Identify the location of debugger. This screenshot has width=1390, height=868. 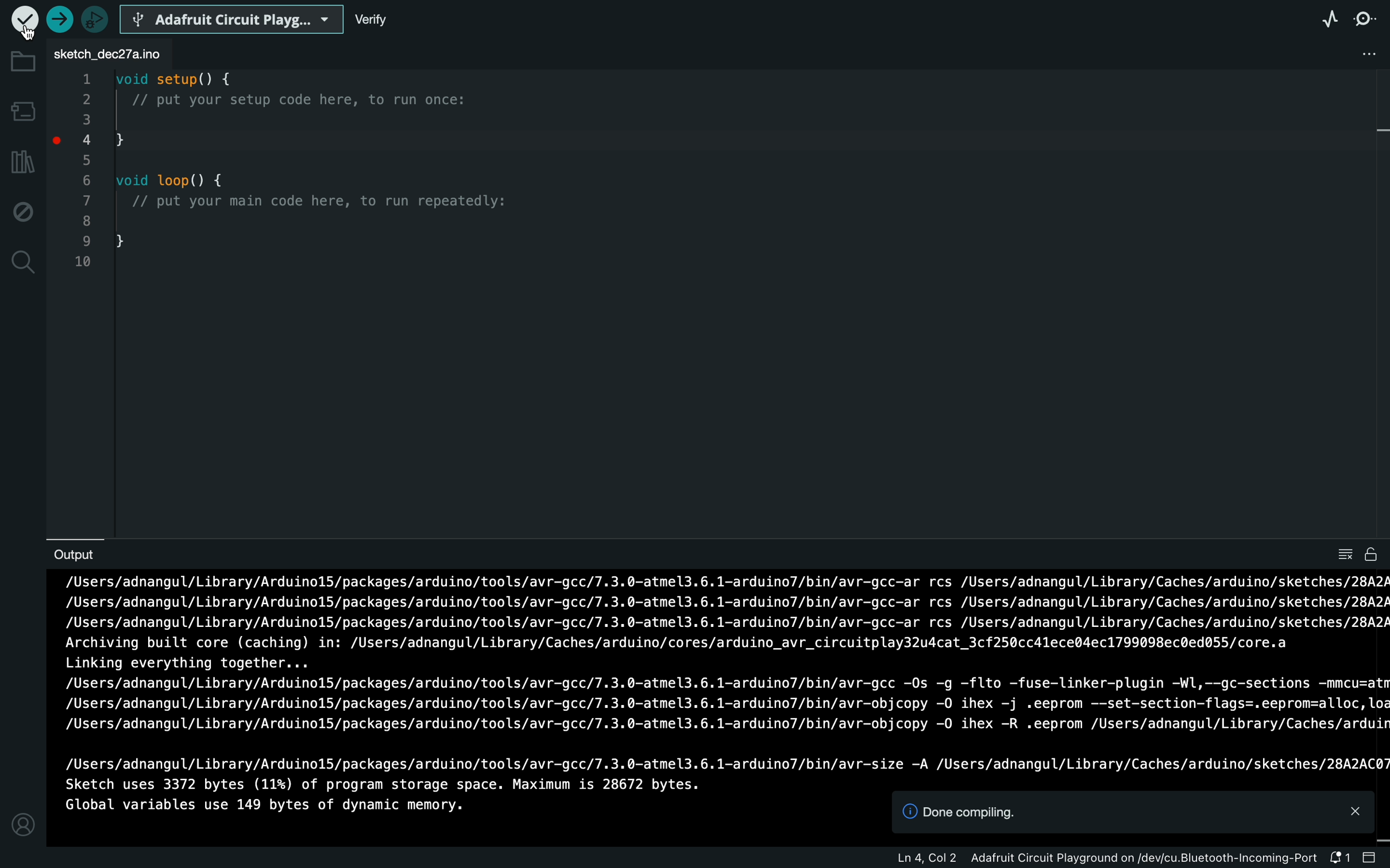
(94, 17).